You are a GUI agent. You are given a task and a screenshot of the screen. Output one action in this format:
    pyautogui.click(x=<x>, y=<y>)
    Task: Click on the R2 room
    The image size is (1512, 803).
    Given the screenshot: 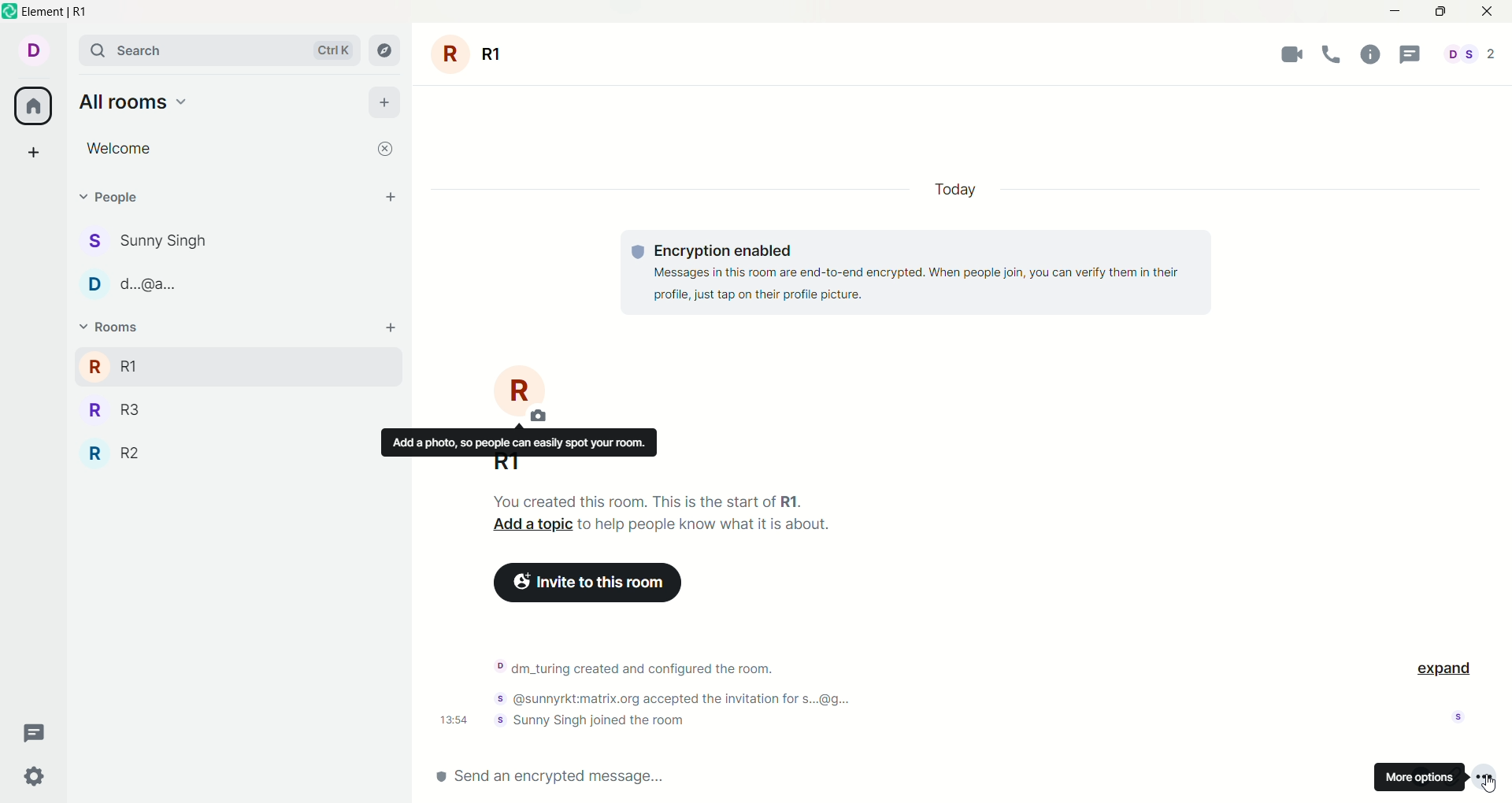 What is the action you would take?
    pyautogui.click(x=113, y=453)
    